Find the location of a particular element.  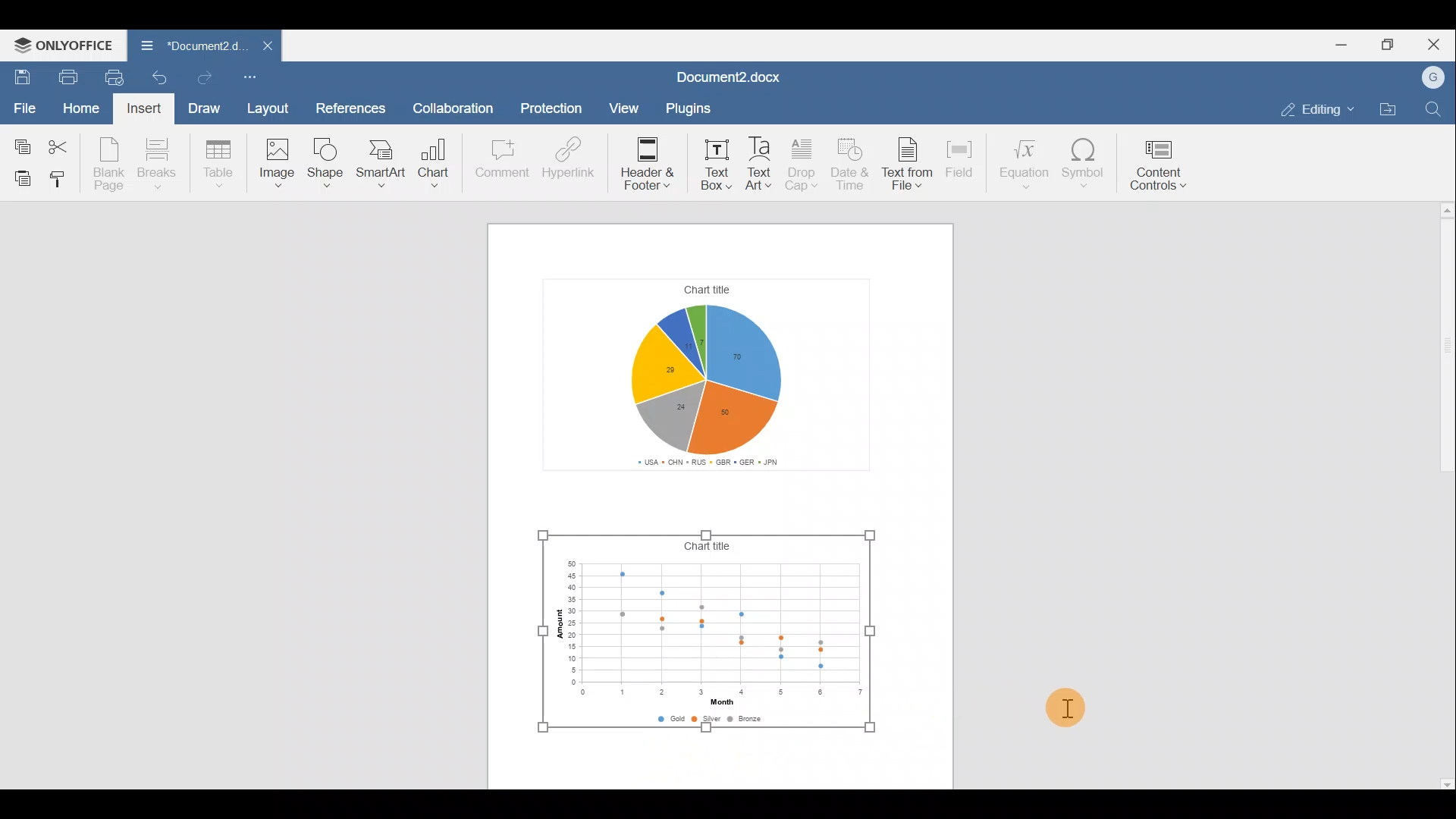

Table is located at coordinates (224, 162).